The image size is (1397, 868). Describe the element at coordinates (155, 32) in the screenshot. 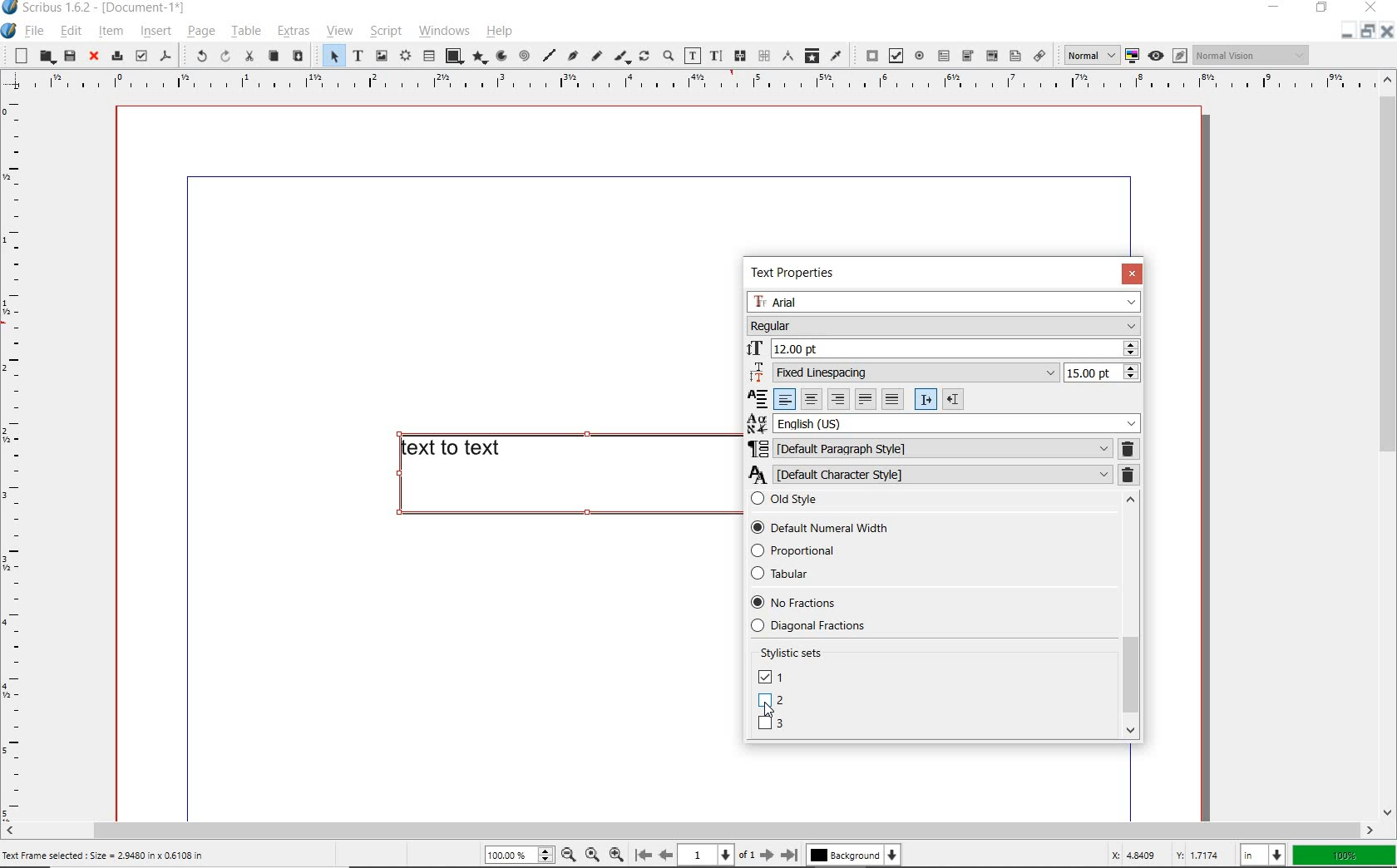

I see `insert` at that location.